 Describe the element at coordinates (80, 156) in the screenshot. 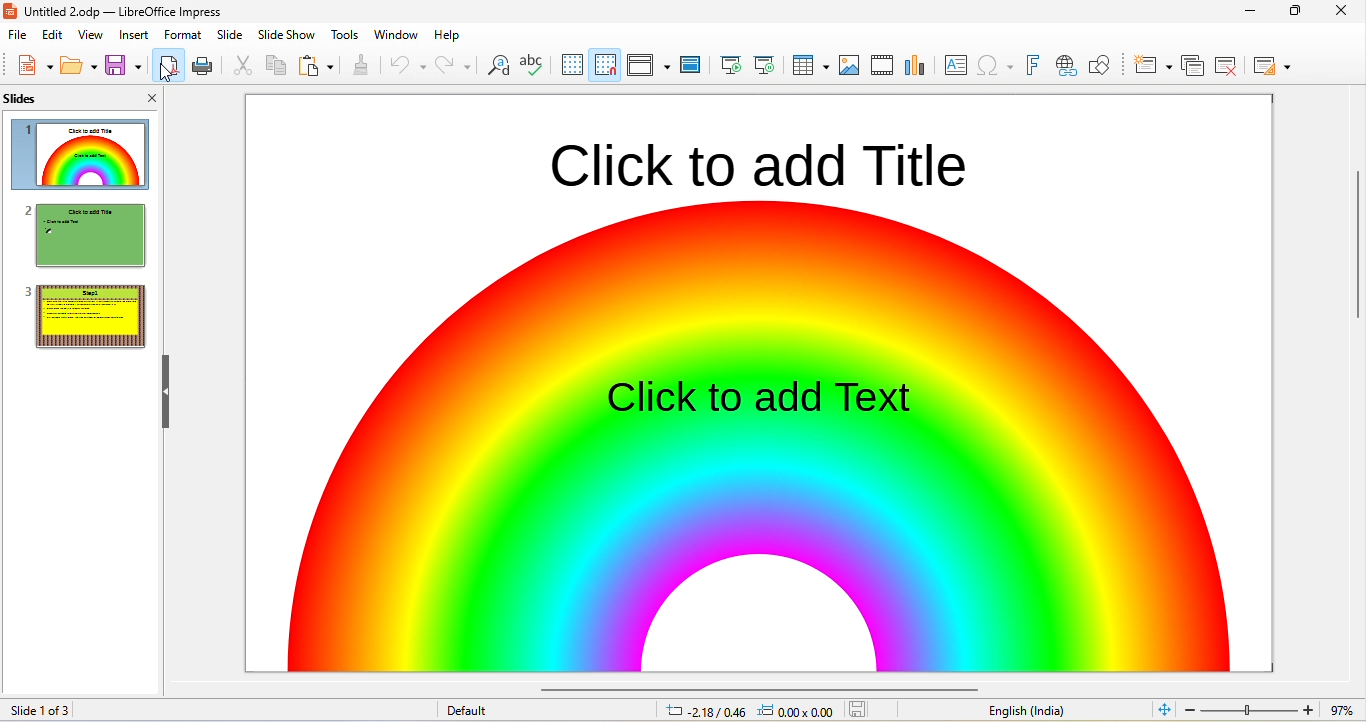

I see `slide1` at that location.